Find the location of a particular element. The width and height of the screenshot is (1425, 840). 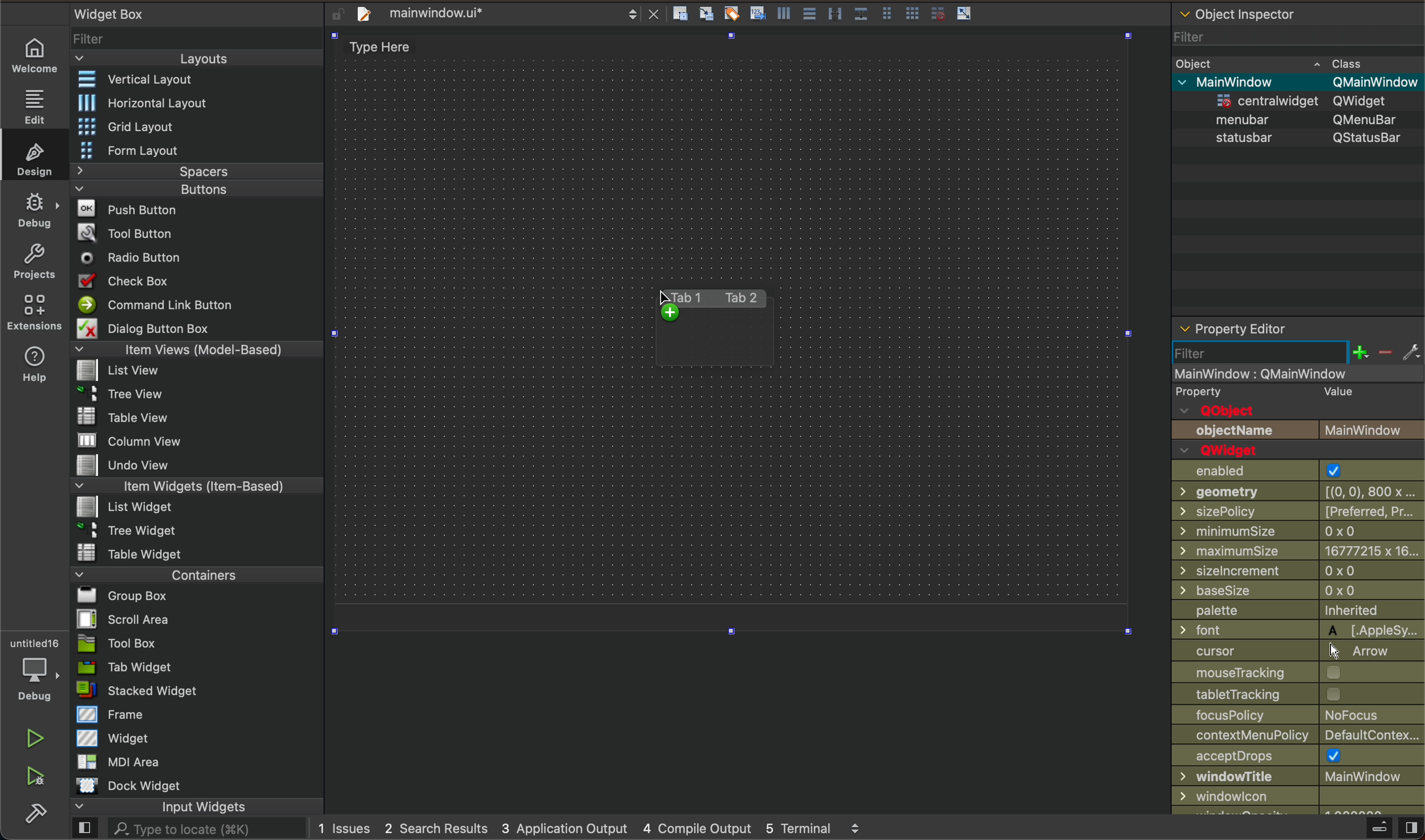

Horizontal Layout is located at coordinates (134, 104).